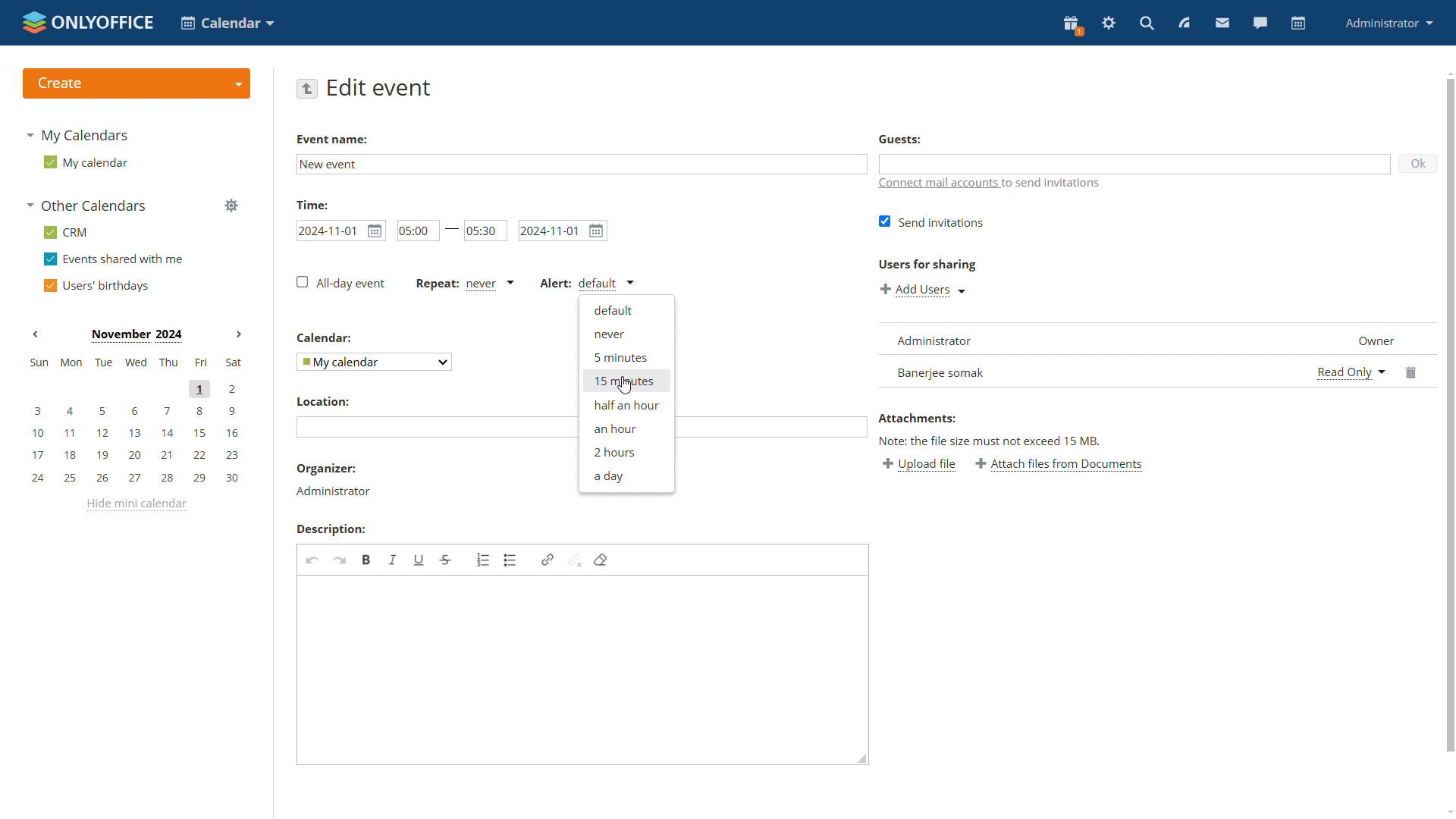 This screenshot has height=819, width=1456. Describe the element at coordinates (88, 165) in the screenshot. I see `my calendar` at that location.